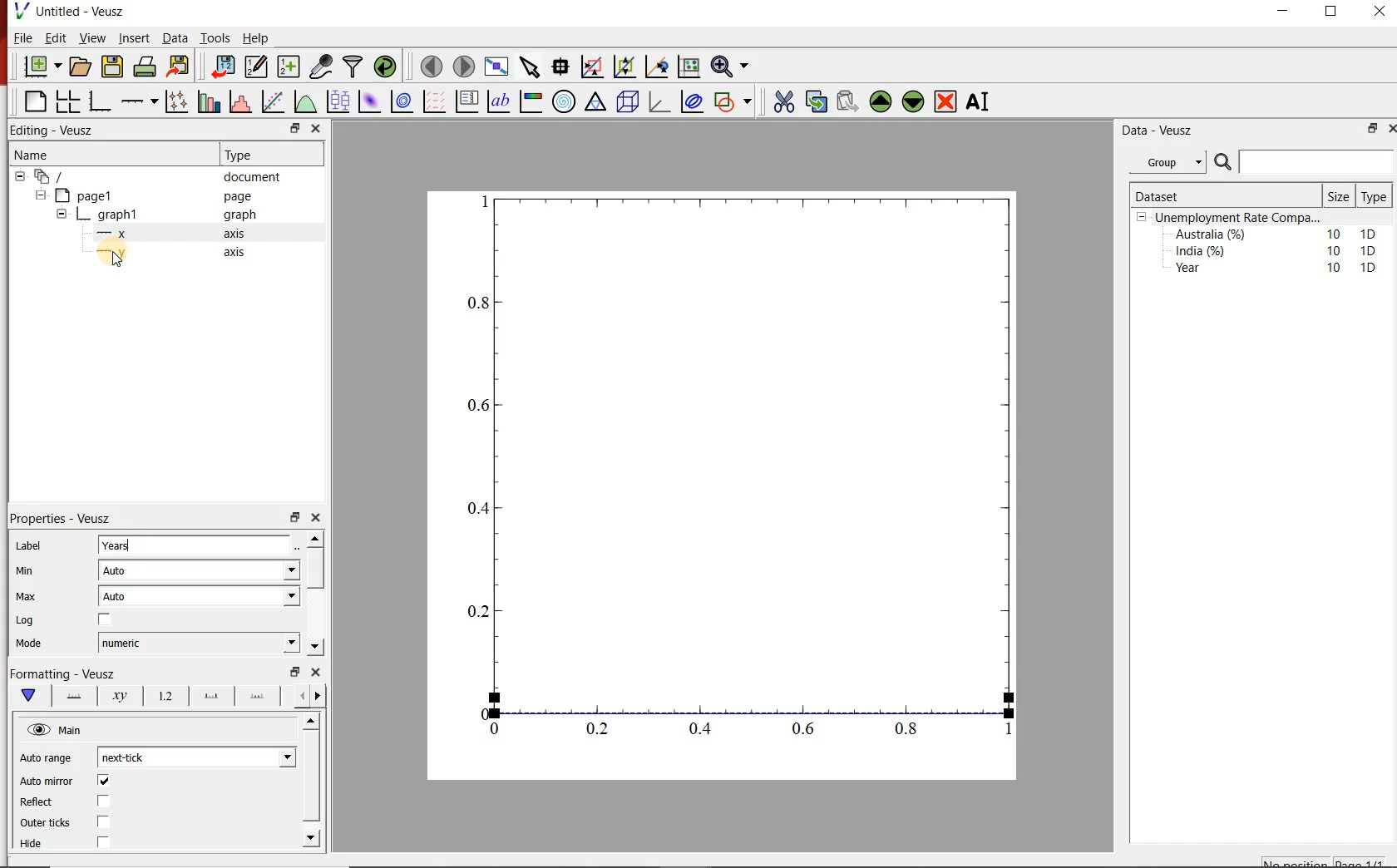 This screenshot has height=868, width=1397. Describe the element at coordinates (112, 66) in the screenshot. I see `save document` at that location.